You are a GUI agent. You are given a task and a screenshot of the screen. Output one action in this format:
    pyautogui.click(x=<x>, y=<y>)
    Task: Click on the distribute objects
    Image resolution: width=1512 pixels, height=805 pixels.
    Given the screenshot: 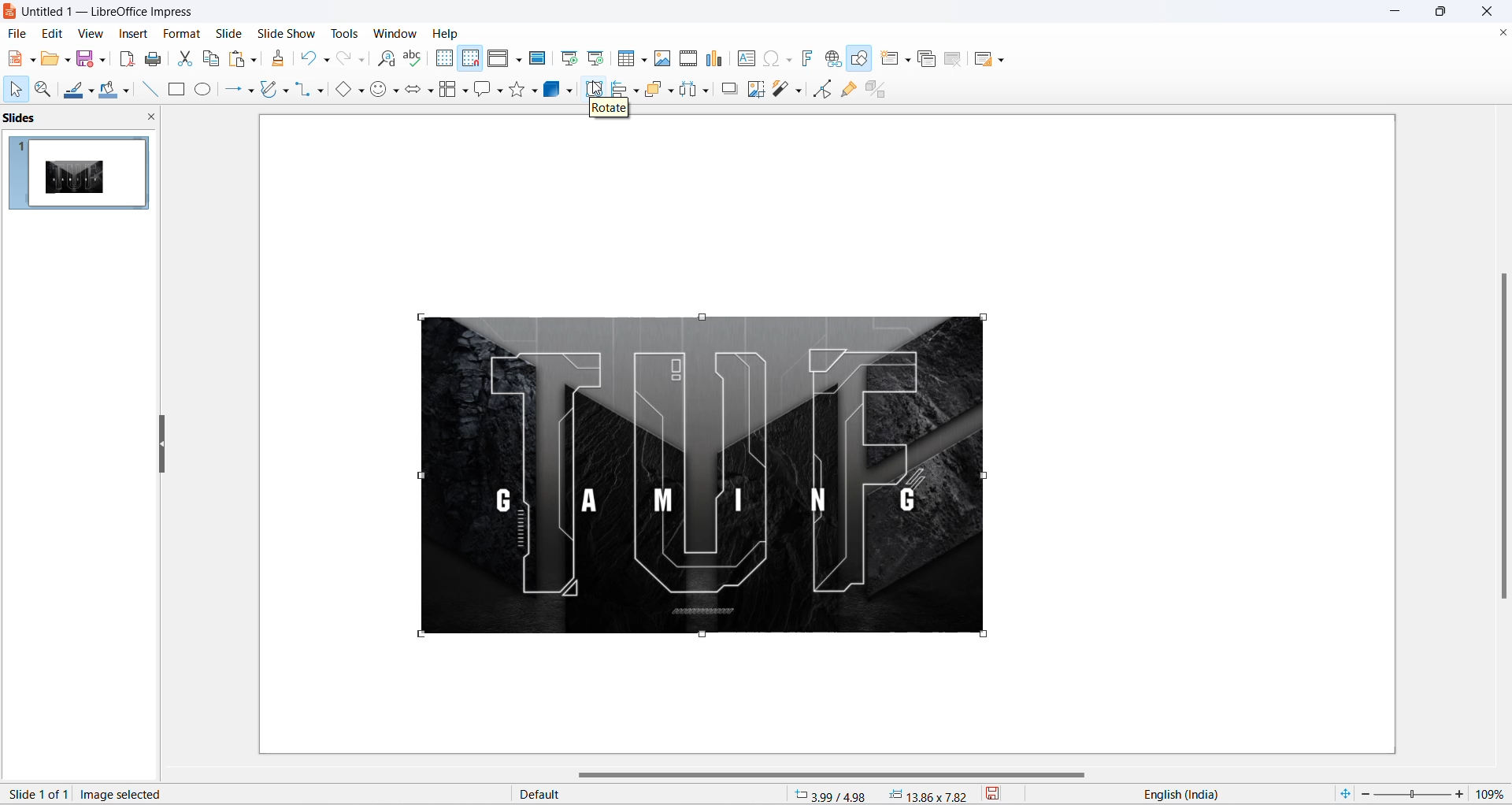 What is the action you would take?
    pyautogui.click(x=689, y=91)
    